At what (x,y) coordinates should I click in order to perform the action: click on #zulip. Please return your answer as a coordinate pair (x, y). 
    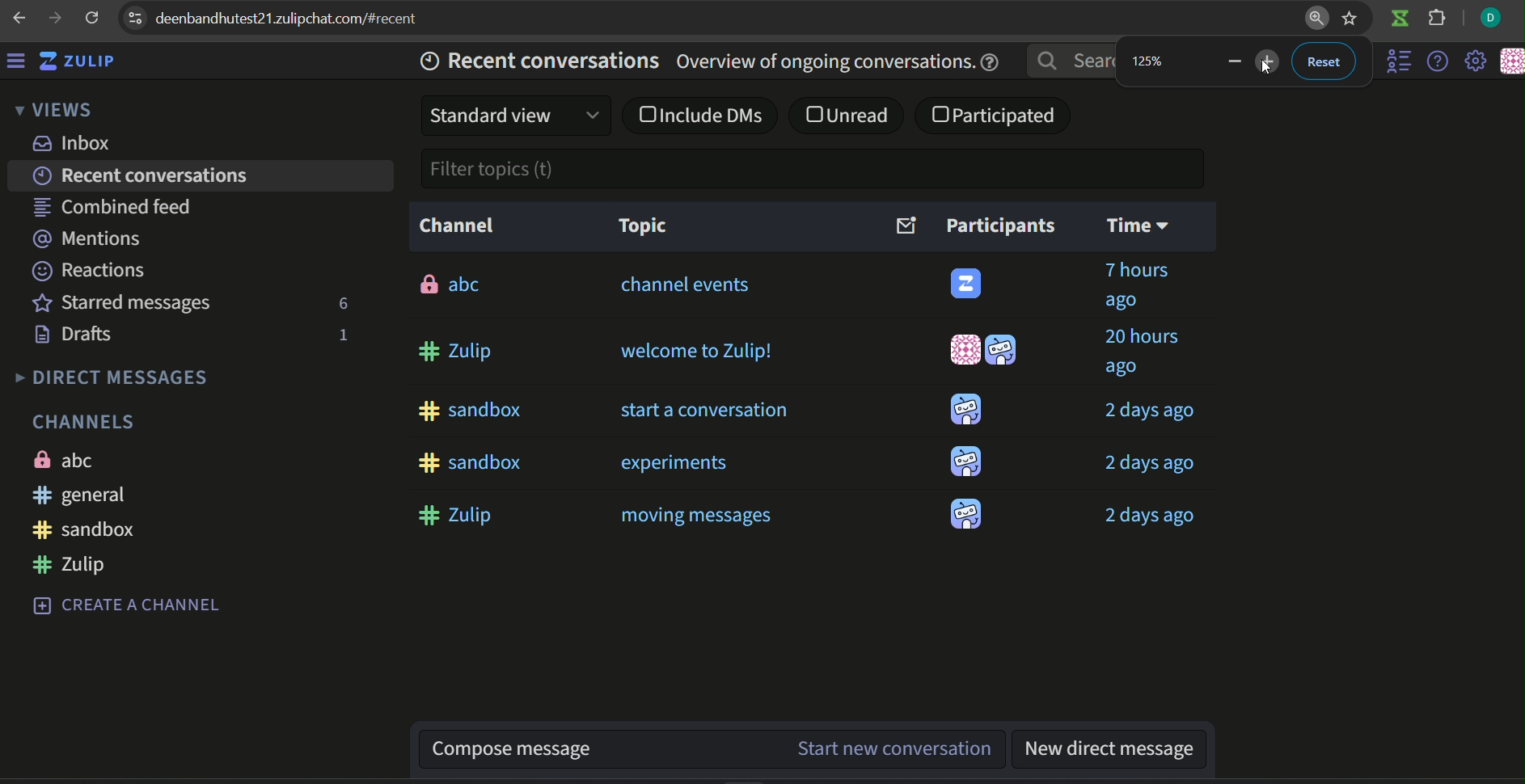
    Looking at the image, I should click on (458, 513).